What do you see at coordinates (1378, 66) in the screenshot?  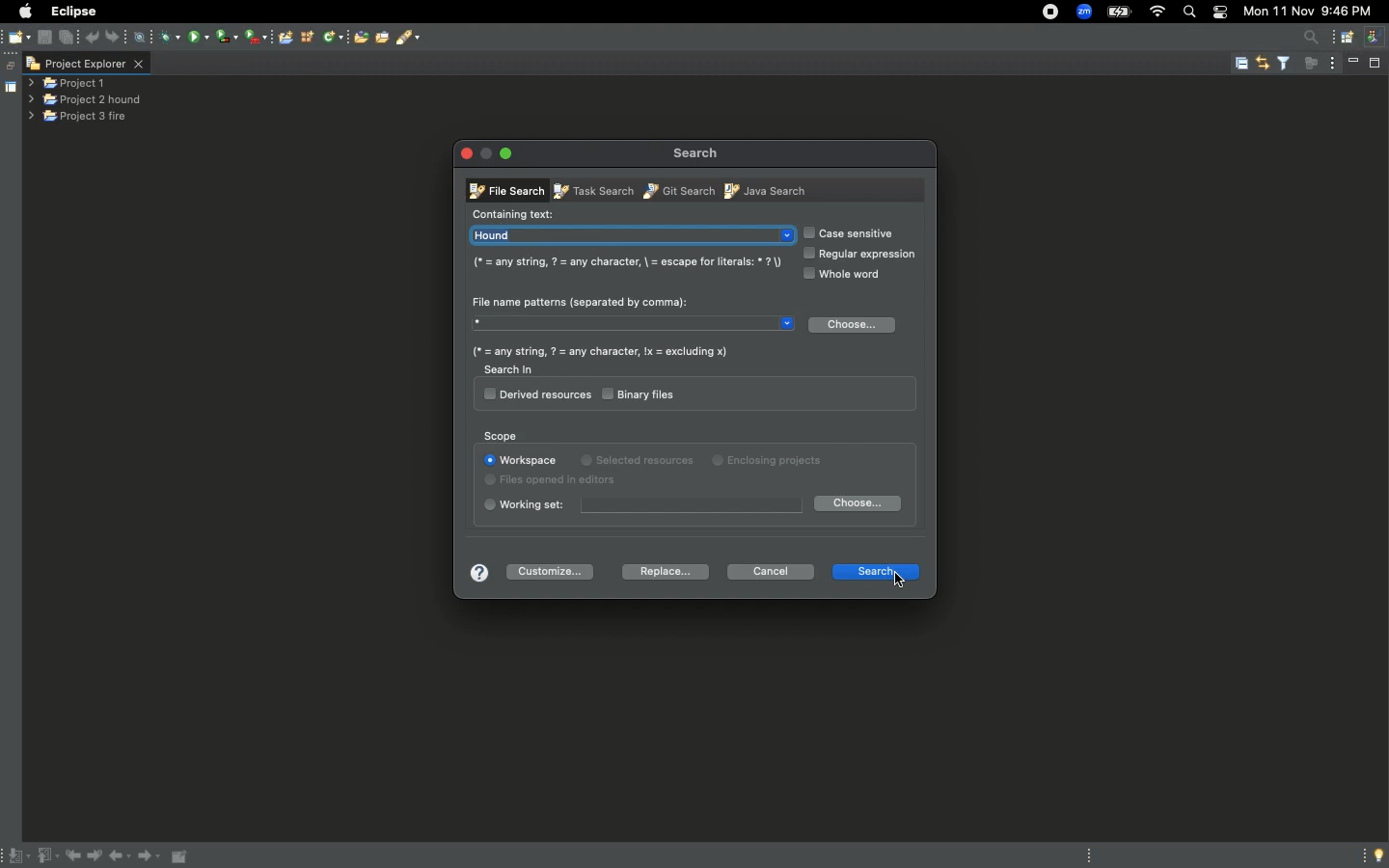 I see `maximise` at bounding box center [1378, 66].